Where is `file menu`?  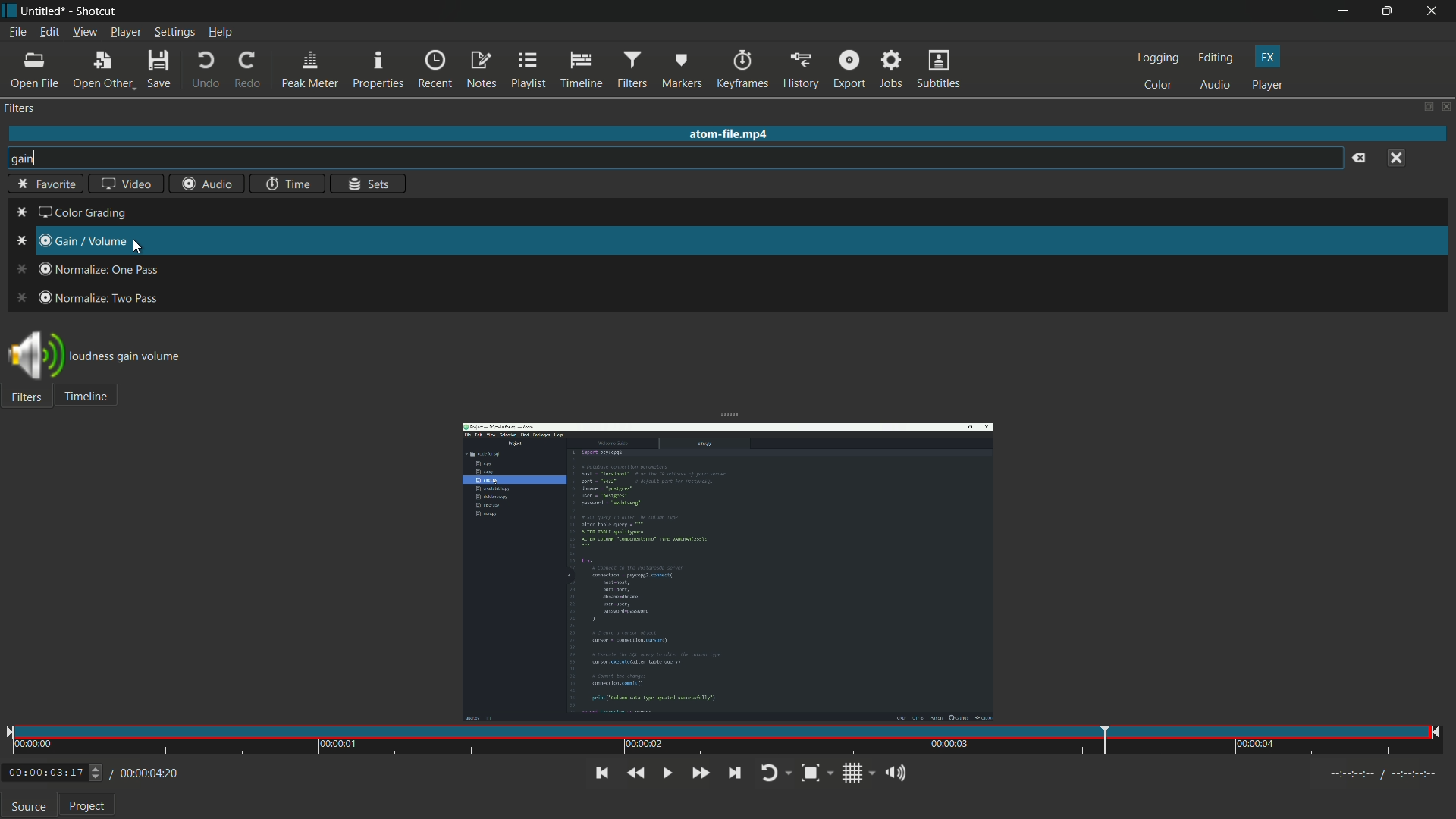
file menu is located at coordinates (17, 32).